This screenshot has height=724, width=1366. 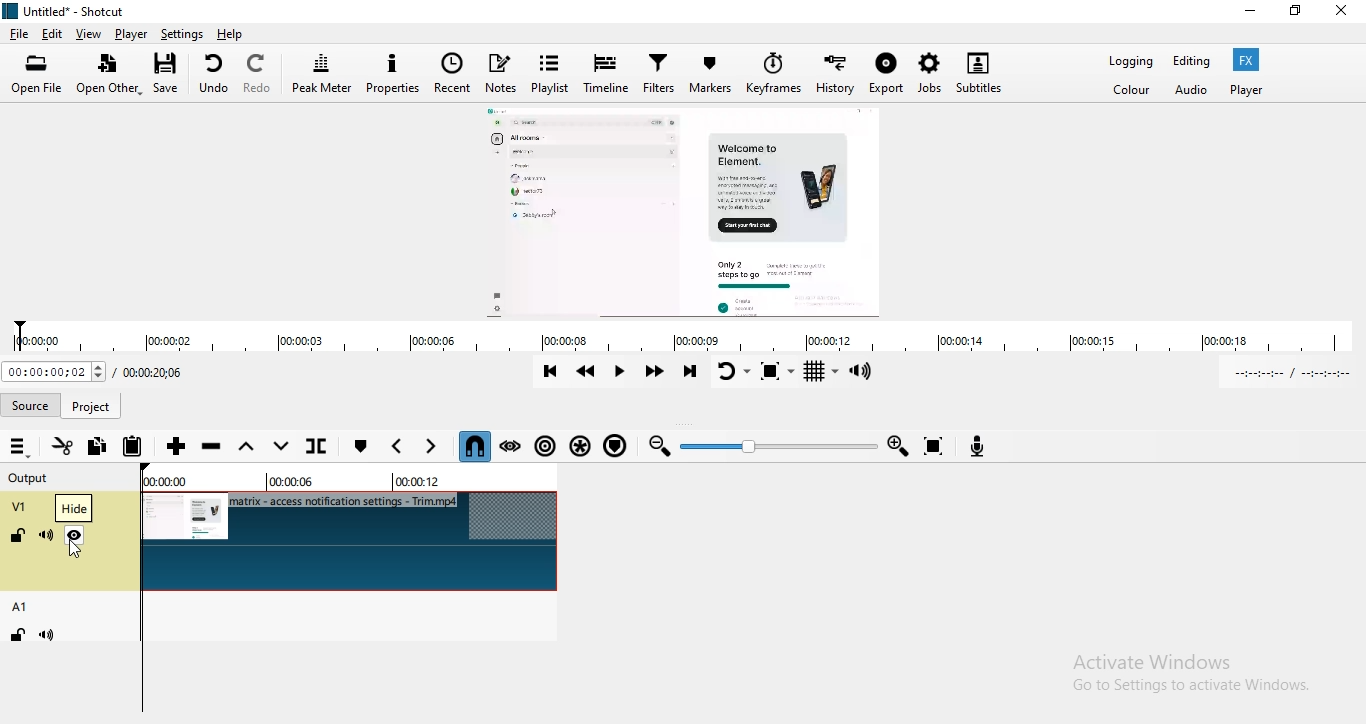 I want to click on Filters, so click(x=658, y=75).